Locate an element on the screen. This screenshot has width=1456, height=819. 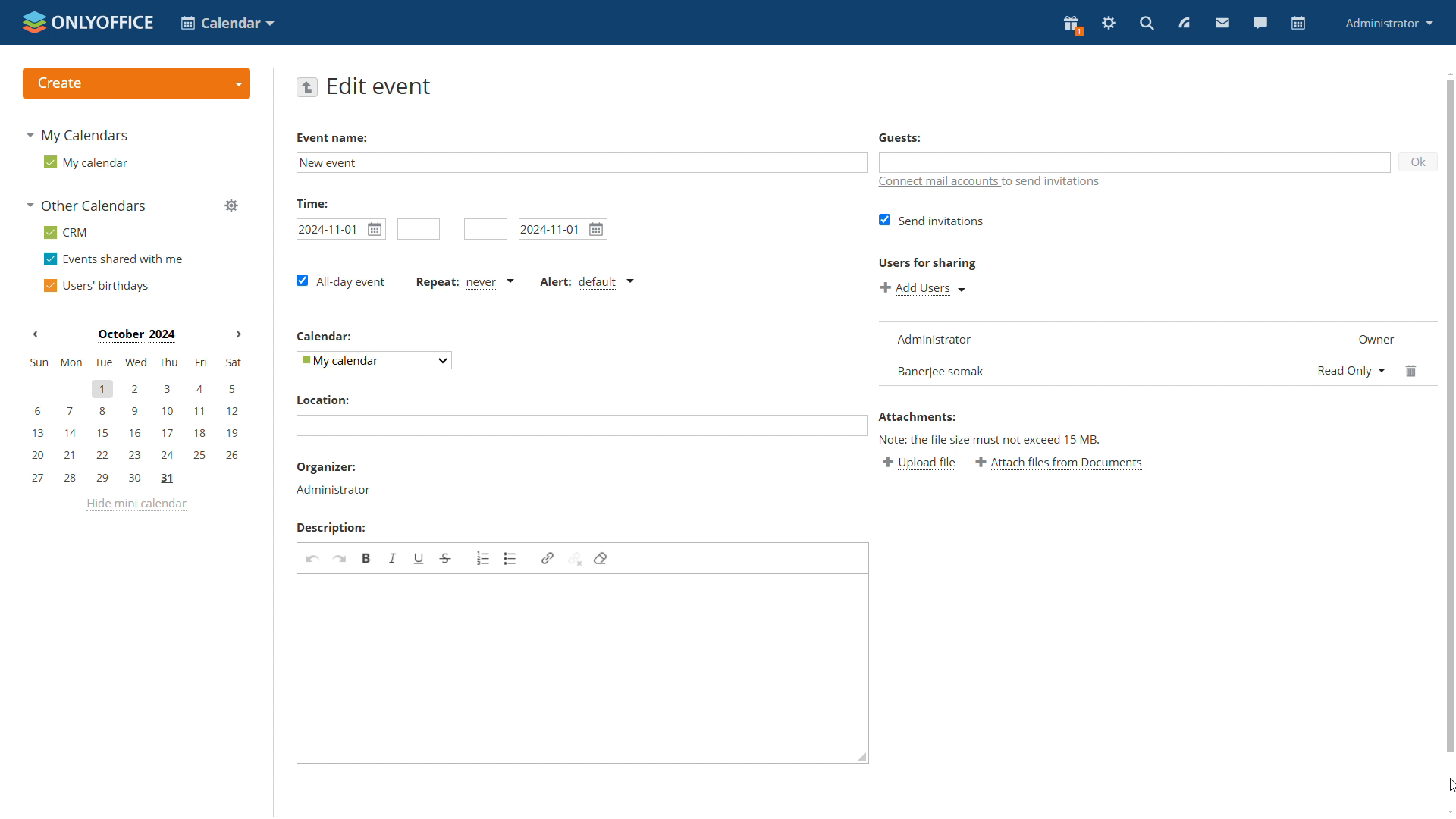
users' birthdays is located at coordinates (100, 285).